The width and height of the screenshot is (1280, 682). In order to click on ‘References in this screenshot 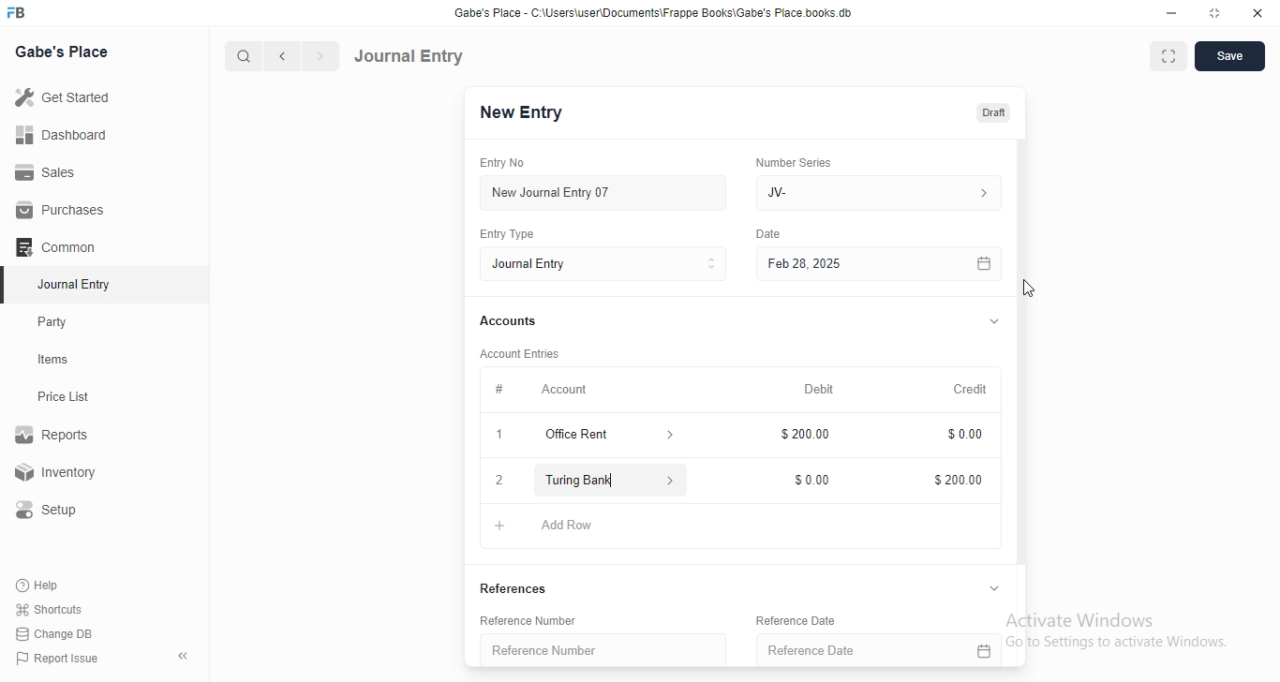, I will do `click(513, 587)`.